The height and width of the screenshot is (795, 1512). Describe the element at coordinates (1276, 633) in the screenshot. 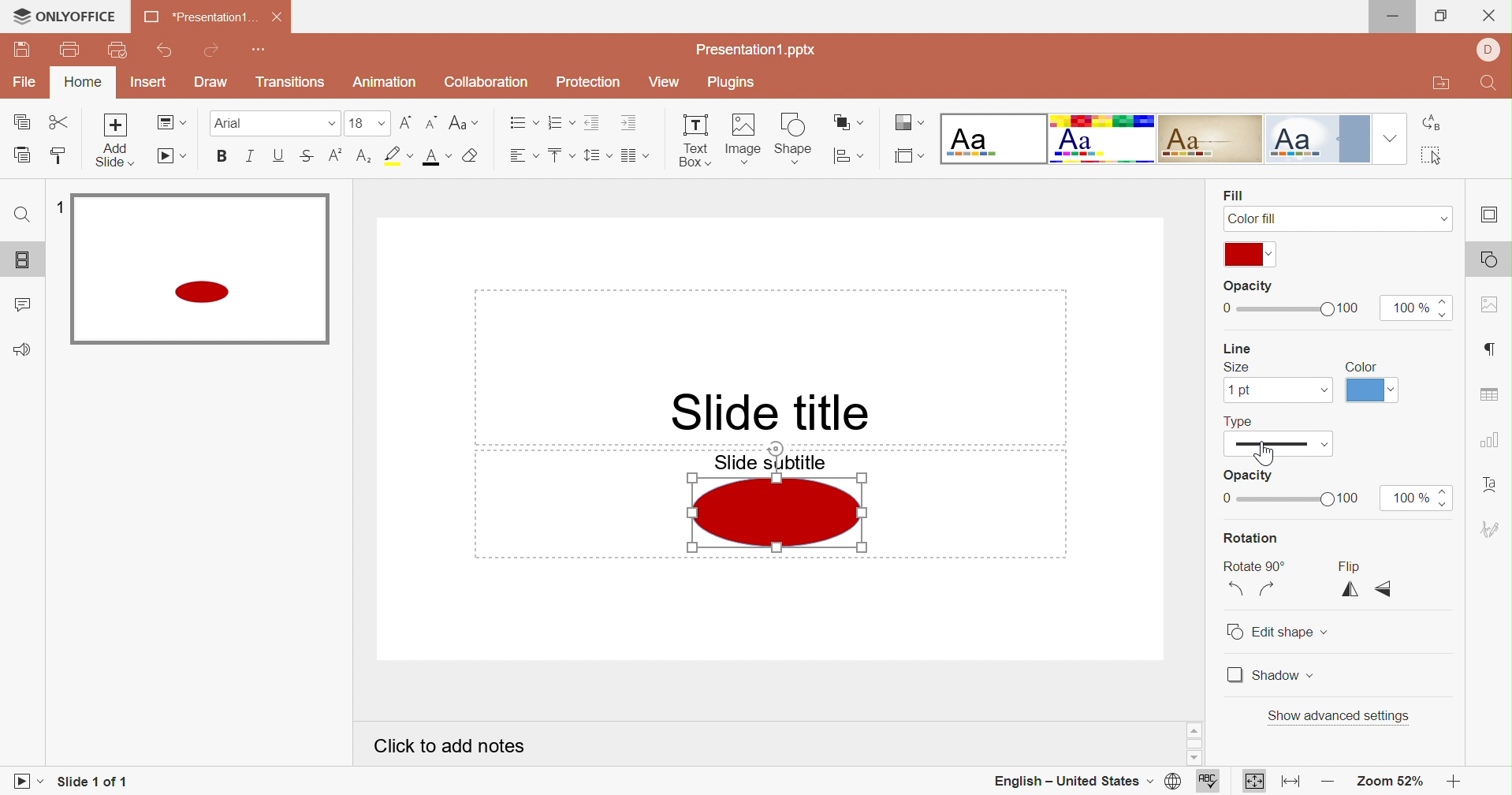

I see `Edit shape` at that location.